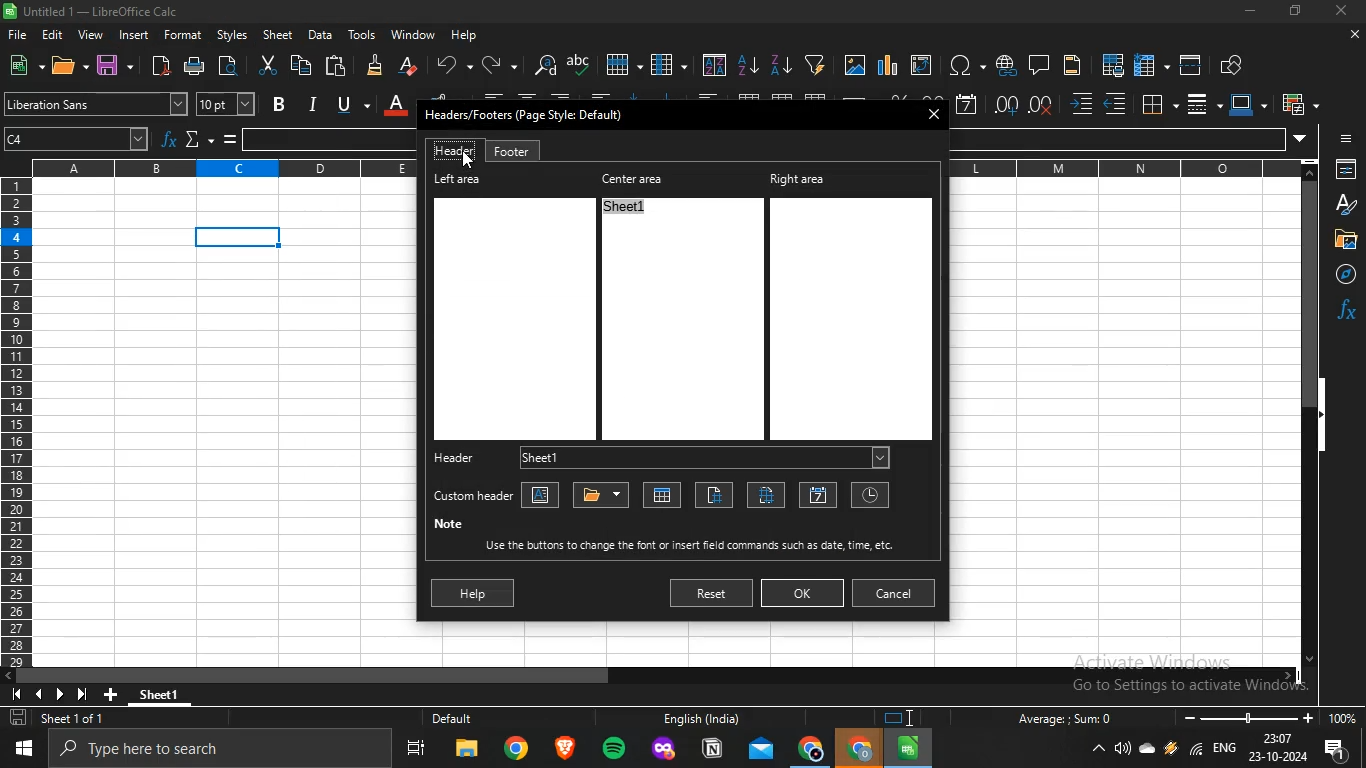 Image resolution: width=1366 pixels, height=768 pixels. What do you see at coordinates (767, 495) in the screenshot?
I see `pages` at bounding box center [767, 495].